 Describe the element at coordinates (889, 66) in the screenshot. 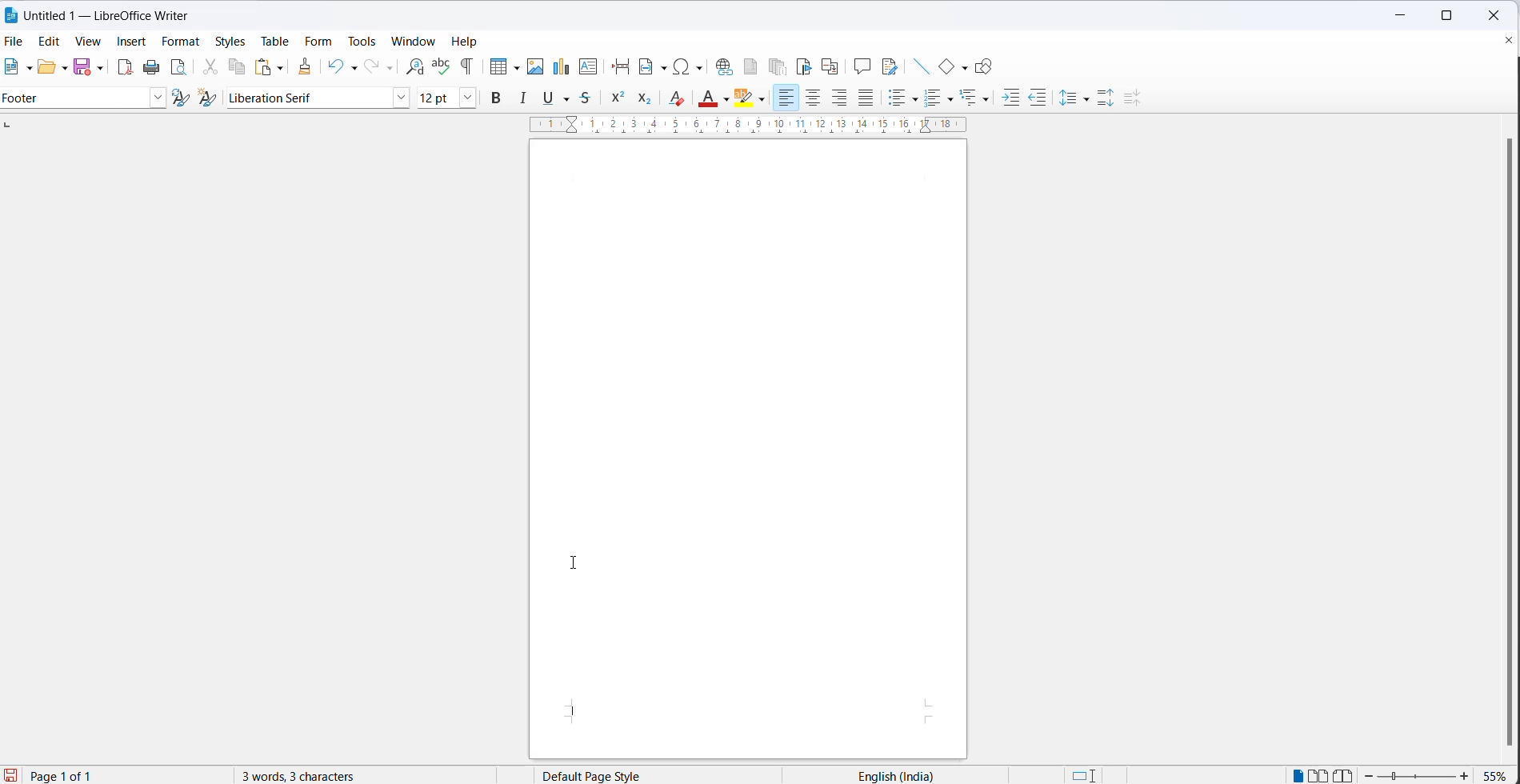

I see `show track changes functions` at that location.